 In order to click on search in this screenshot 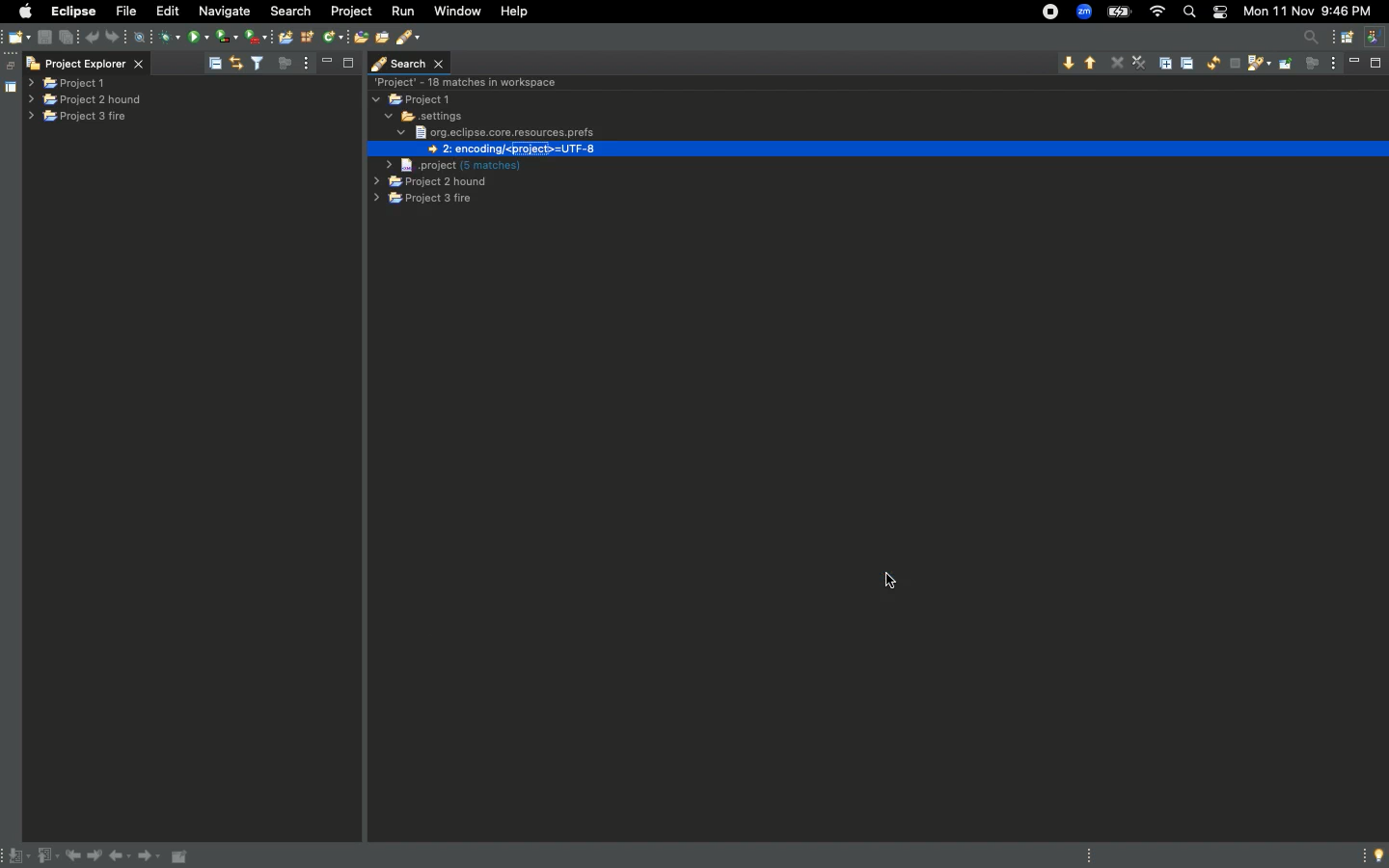, I will do `click(410, 39)`.